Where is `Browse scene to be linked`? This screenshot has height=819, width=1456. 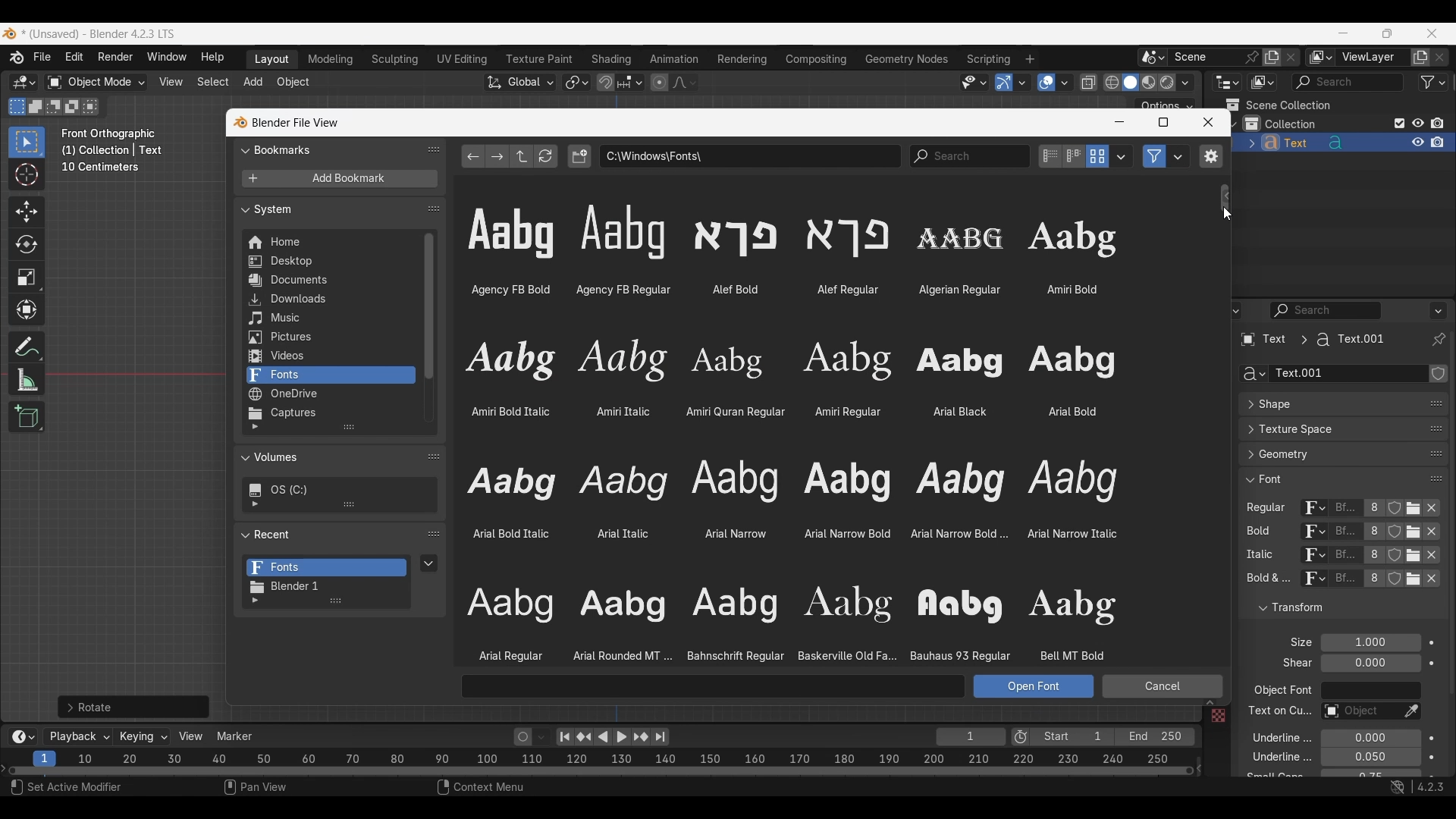
Browse scene to be linked is located at coordinates (1153, 58).